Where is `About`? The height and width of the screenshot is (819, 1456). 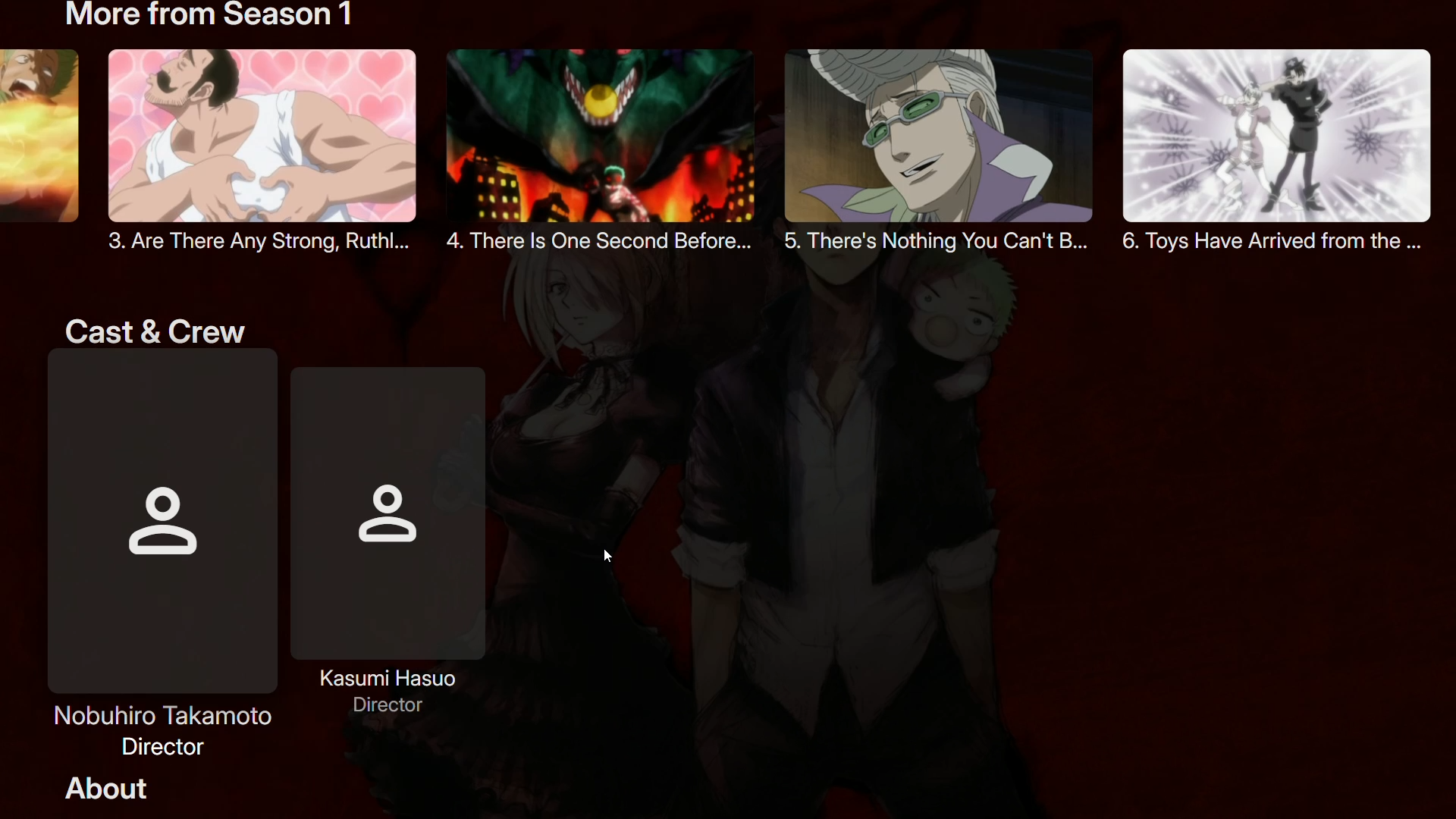
About is located at coordinates (109, 791).